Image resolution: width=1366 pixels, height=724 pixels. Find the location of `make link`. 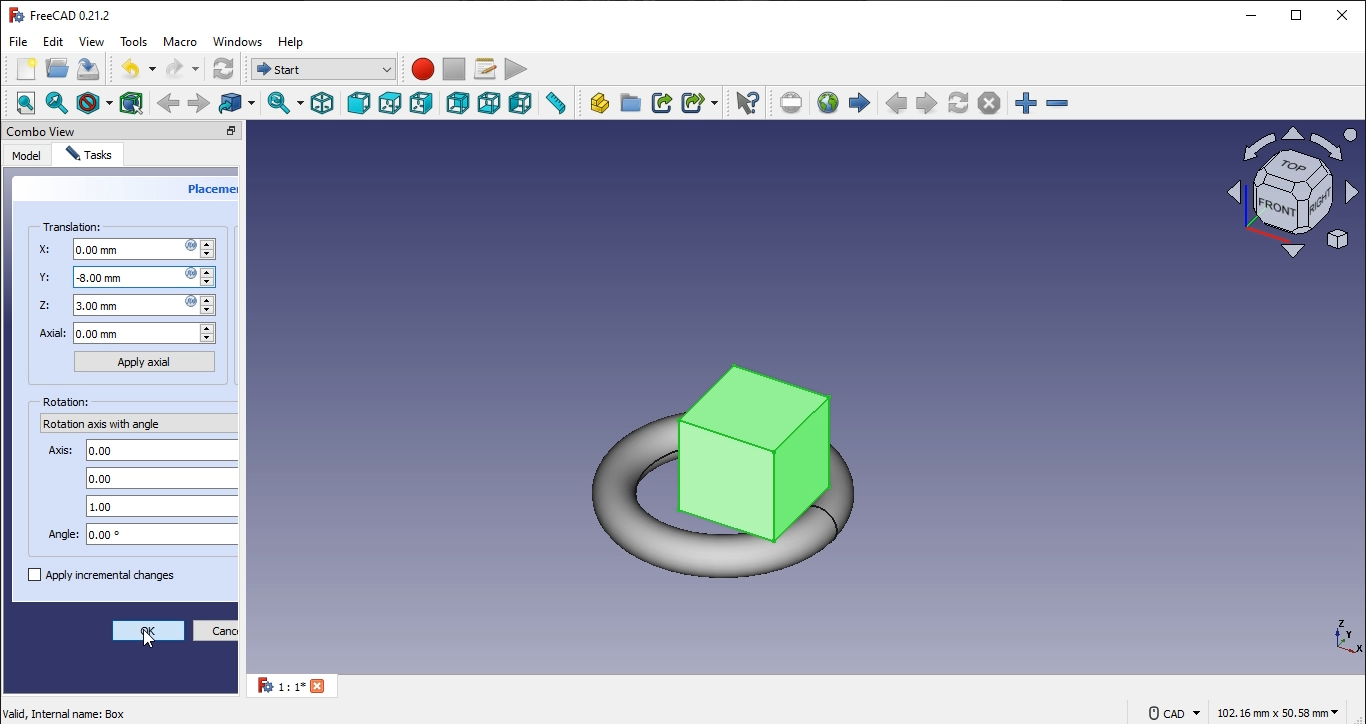

make link is located at coordinates (661, 102).